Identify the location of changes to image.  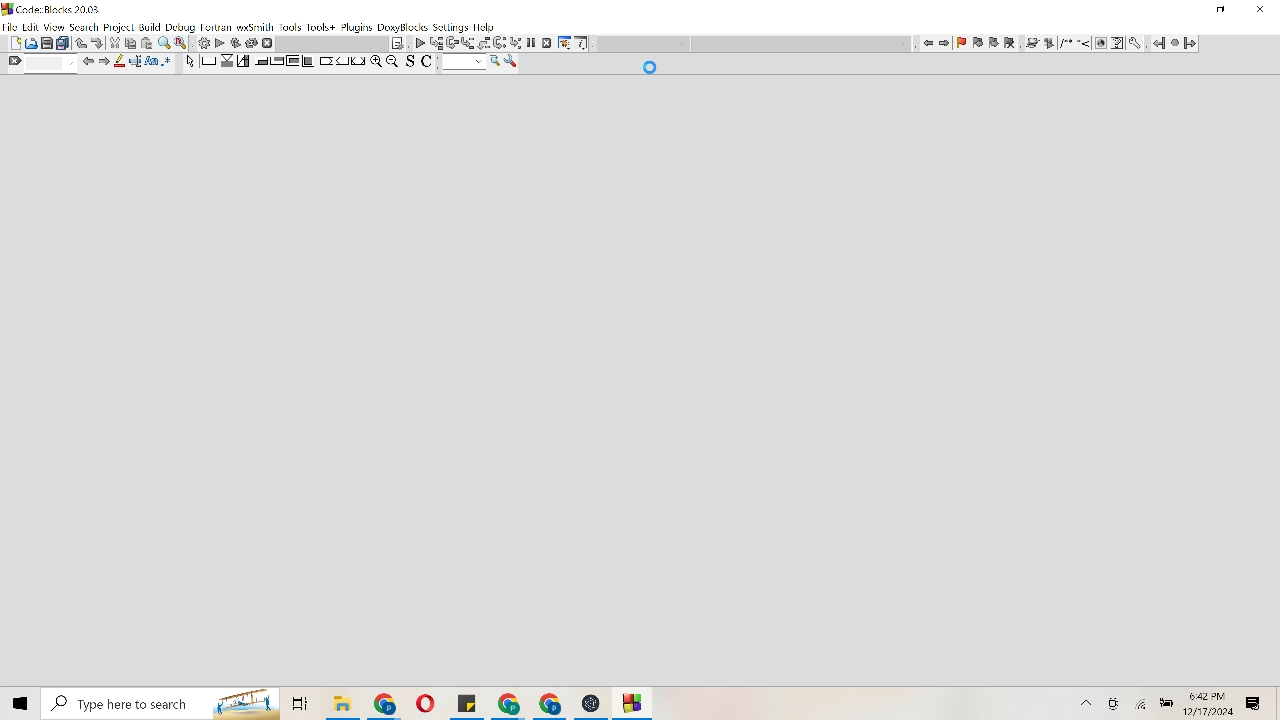
(1073, 44).